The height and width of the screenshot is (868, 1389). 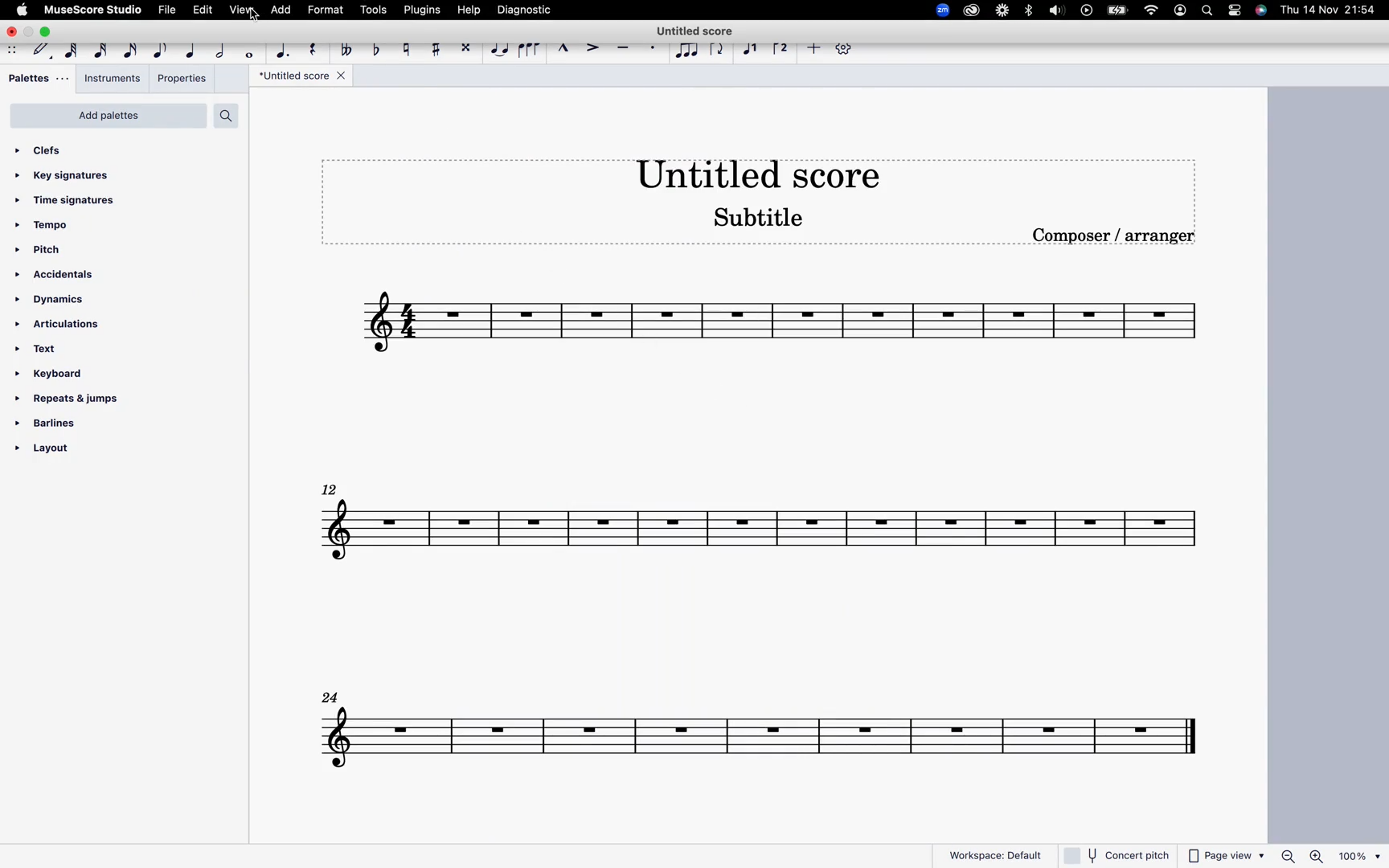 I want to click on apple, so click(x=22, y=10).